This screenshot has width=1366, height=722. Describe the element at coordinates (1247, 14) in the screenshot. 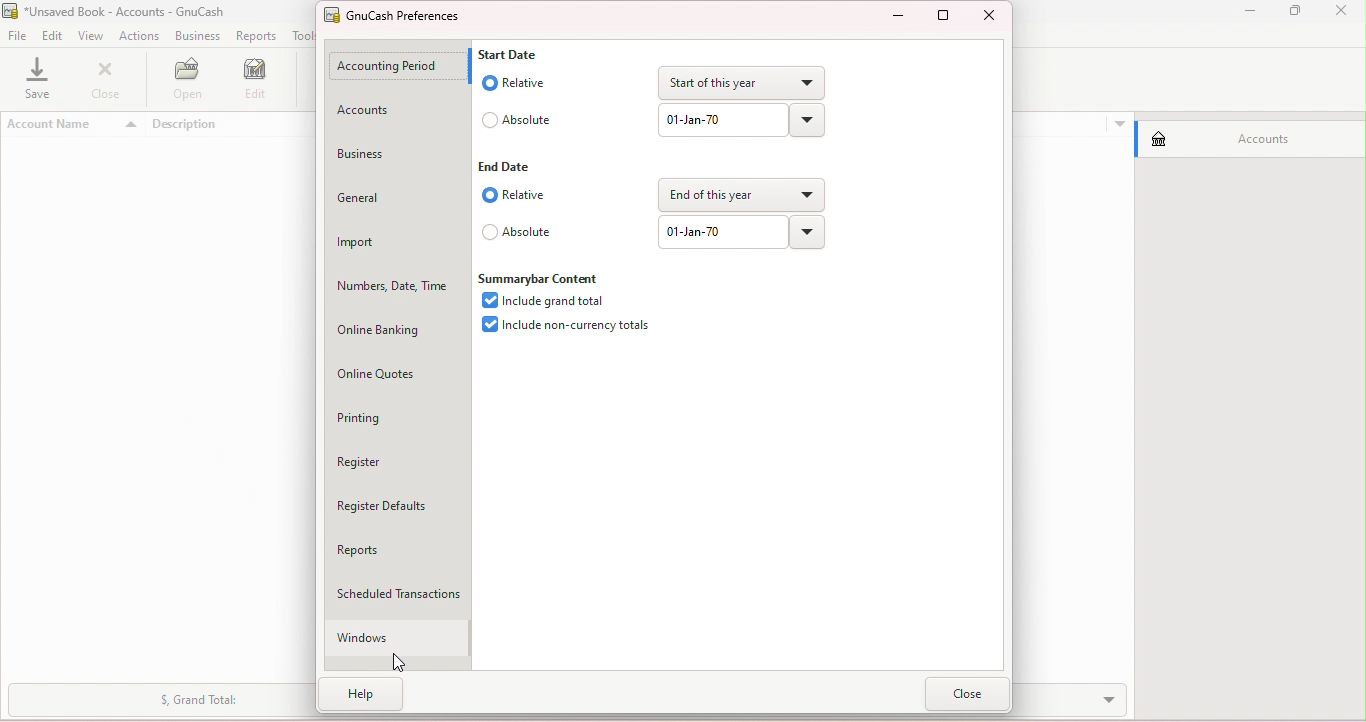

I see `Minimize` at that location.